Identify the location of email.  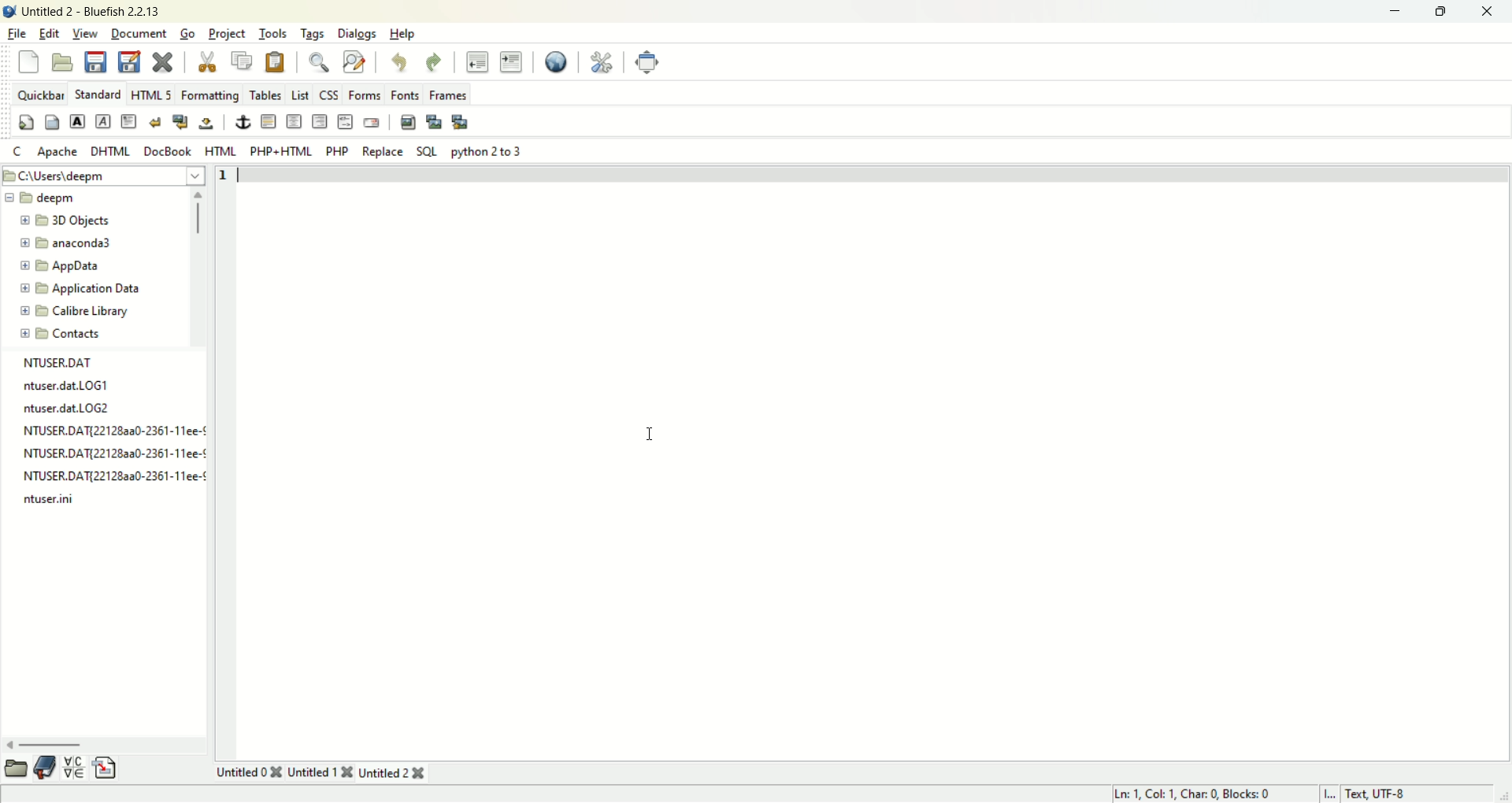
(371, 121).